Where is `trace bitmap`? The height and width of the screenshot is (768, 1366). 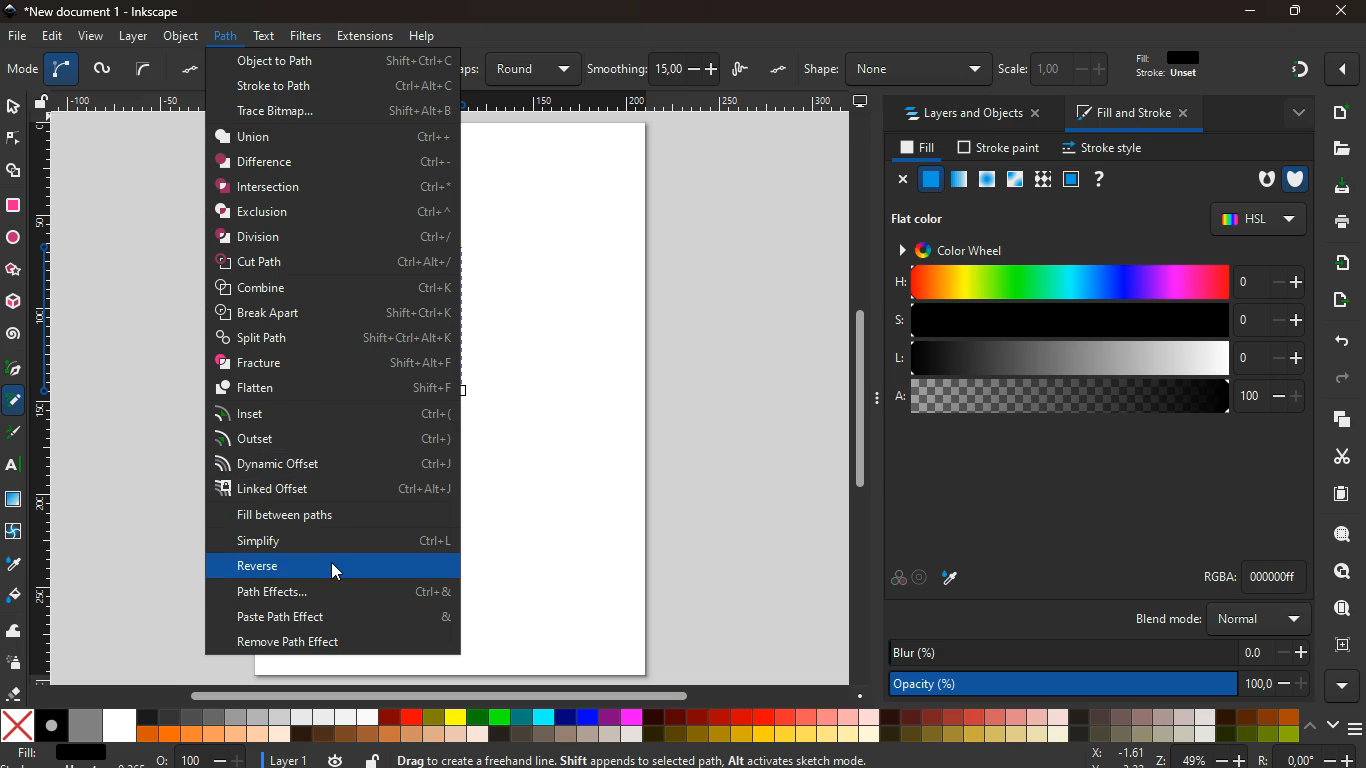 trace bitmap is located at coordinates (345, 114).